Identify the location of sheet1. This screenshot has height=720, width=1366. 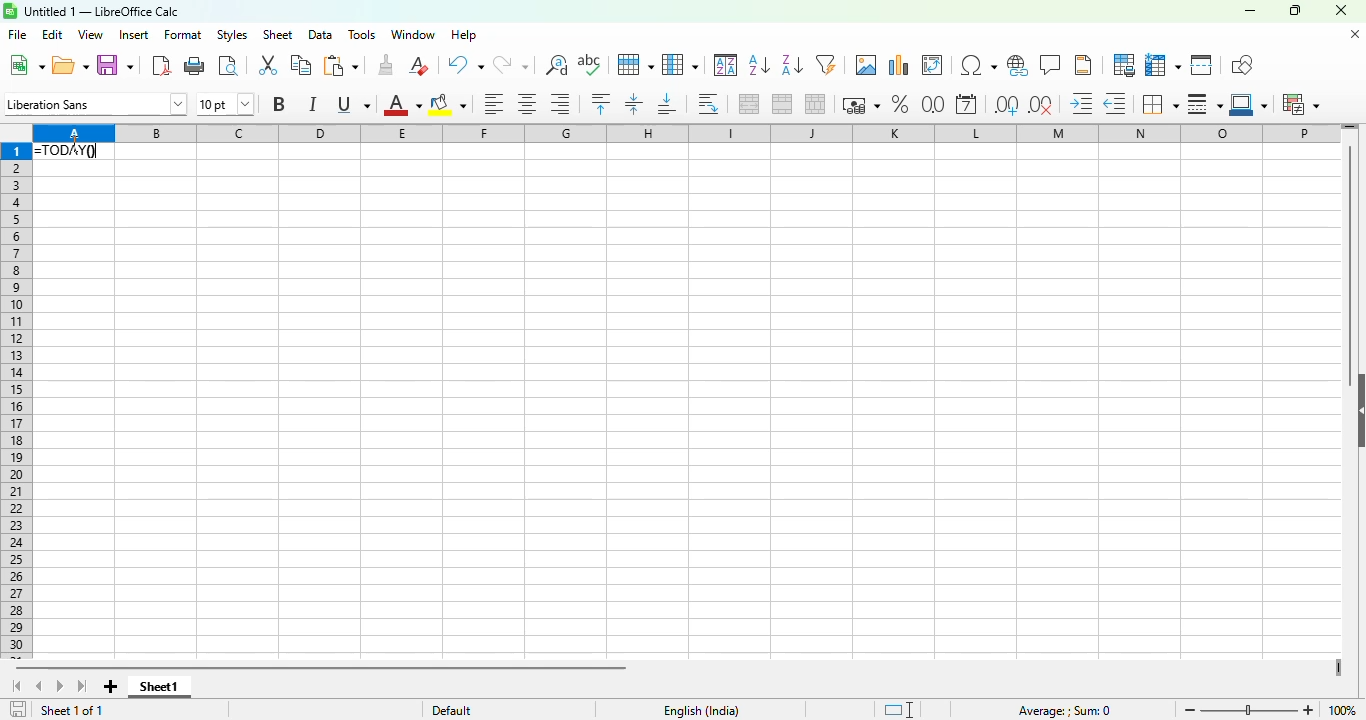
(160, 687).